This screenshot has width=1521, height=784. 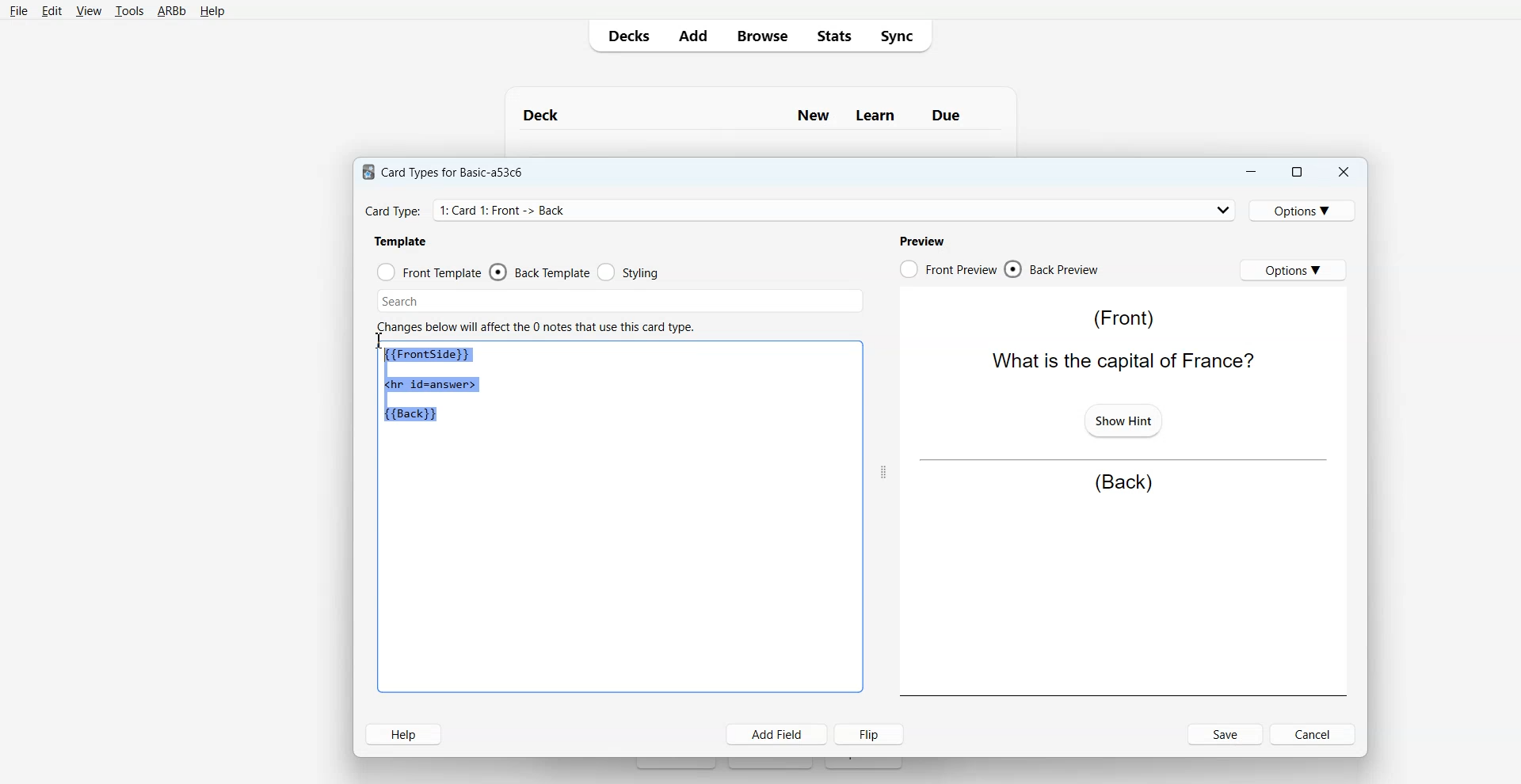 I want to click on View, so click(x=89, y=11).